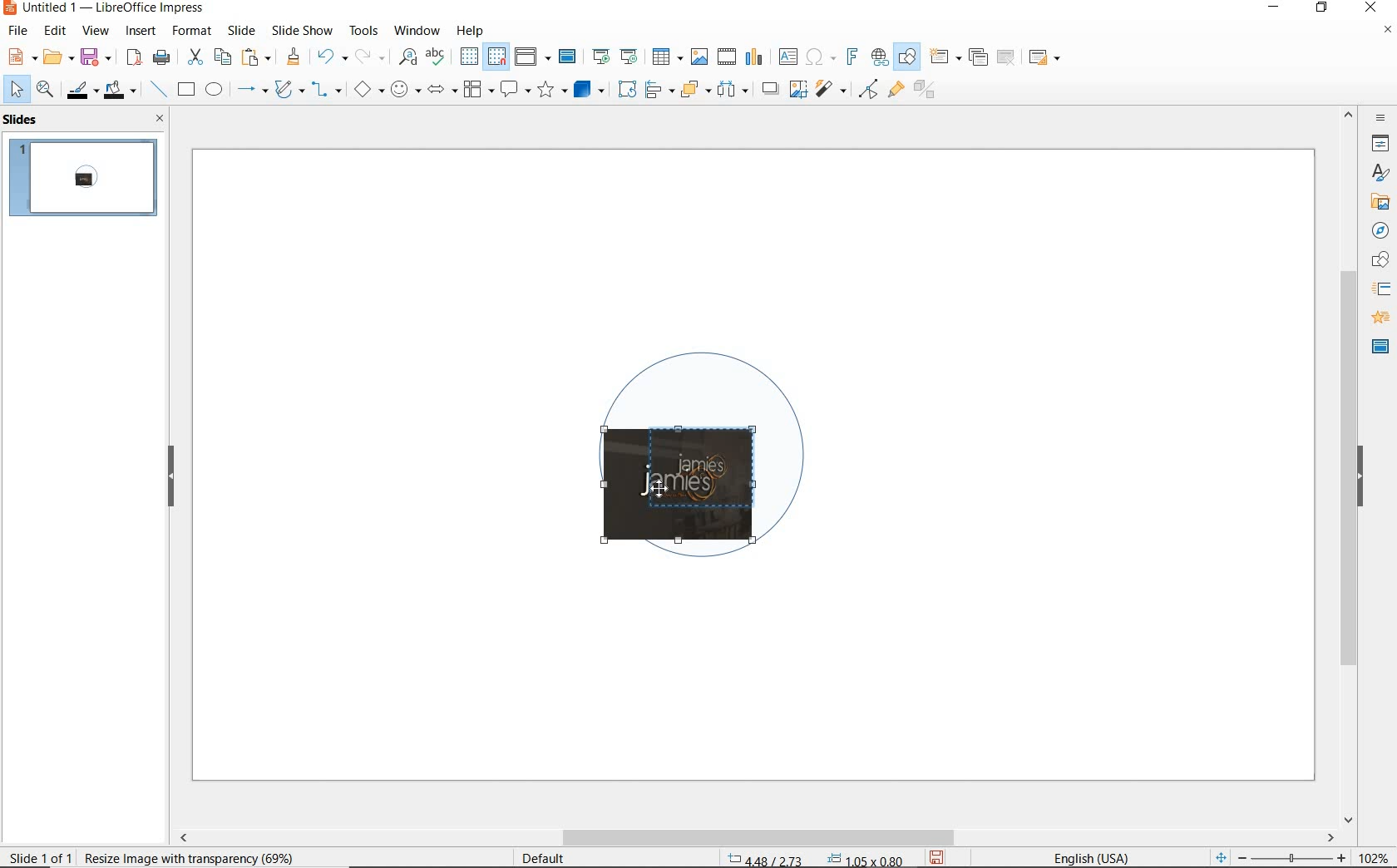 This screenshot has height=868, width=1397. What do you see at coordinates (155, 118) in the screenshot?
I see `close` at bounding box center [155, 118].